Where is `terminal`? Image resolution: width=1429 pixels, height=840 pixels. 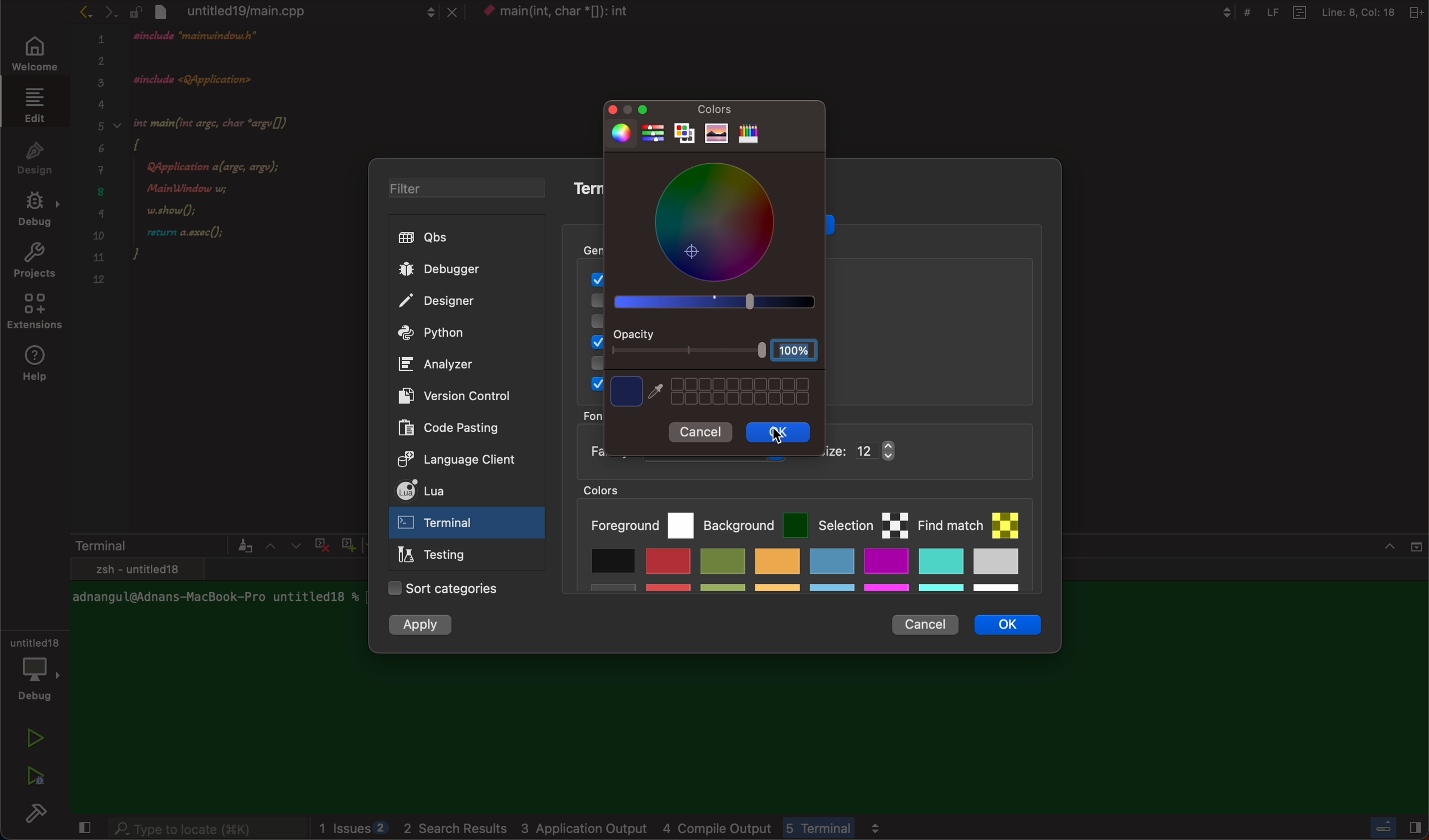
terminal is located at coordinates (161, 545).